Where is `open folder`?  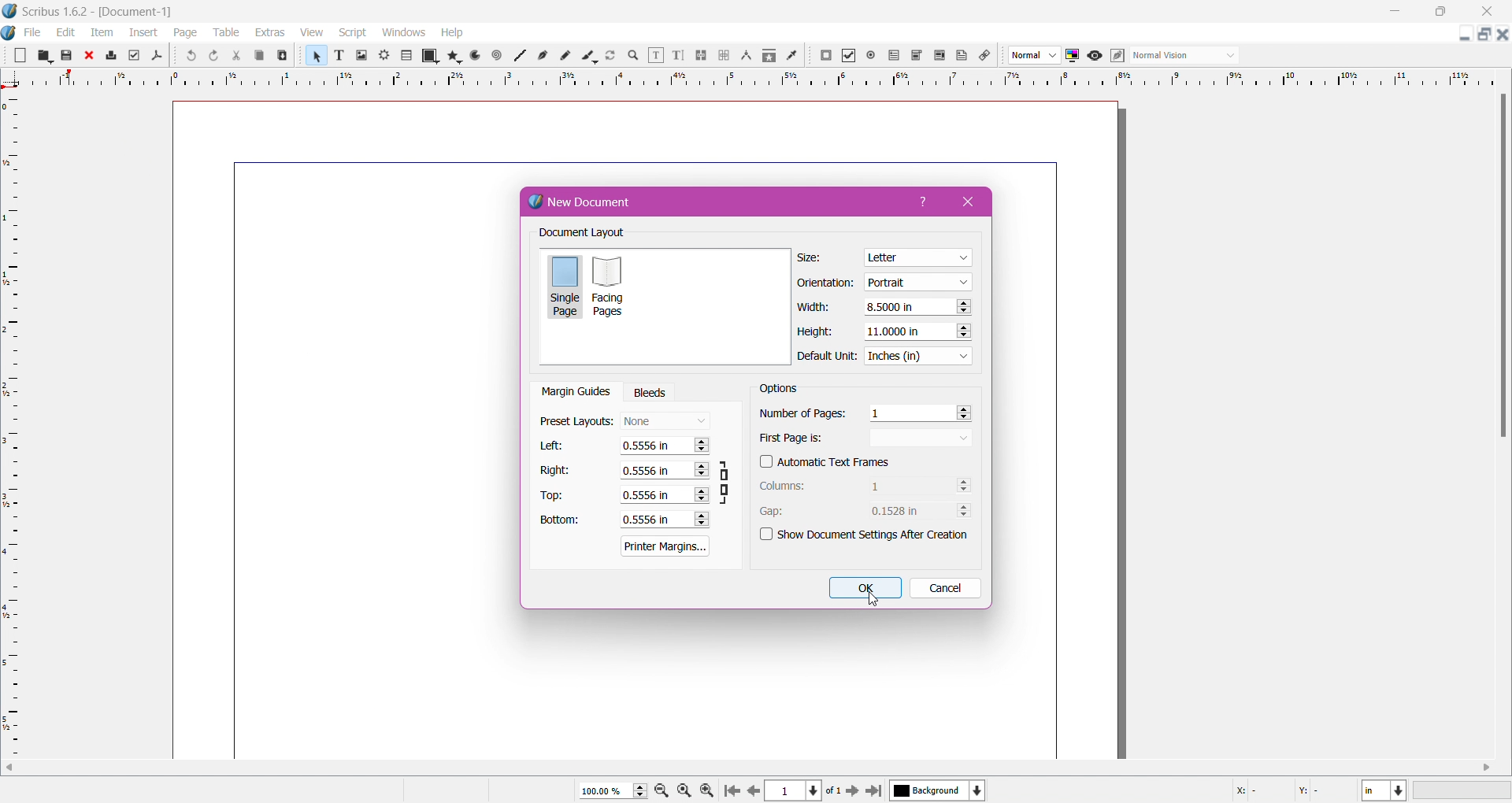
open folder is located at coordinates (44, 57).